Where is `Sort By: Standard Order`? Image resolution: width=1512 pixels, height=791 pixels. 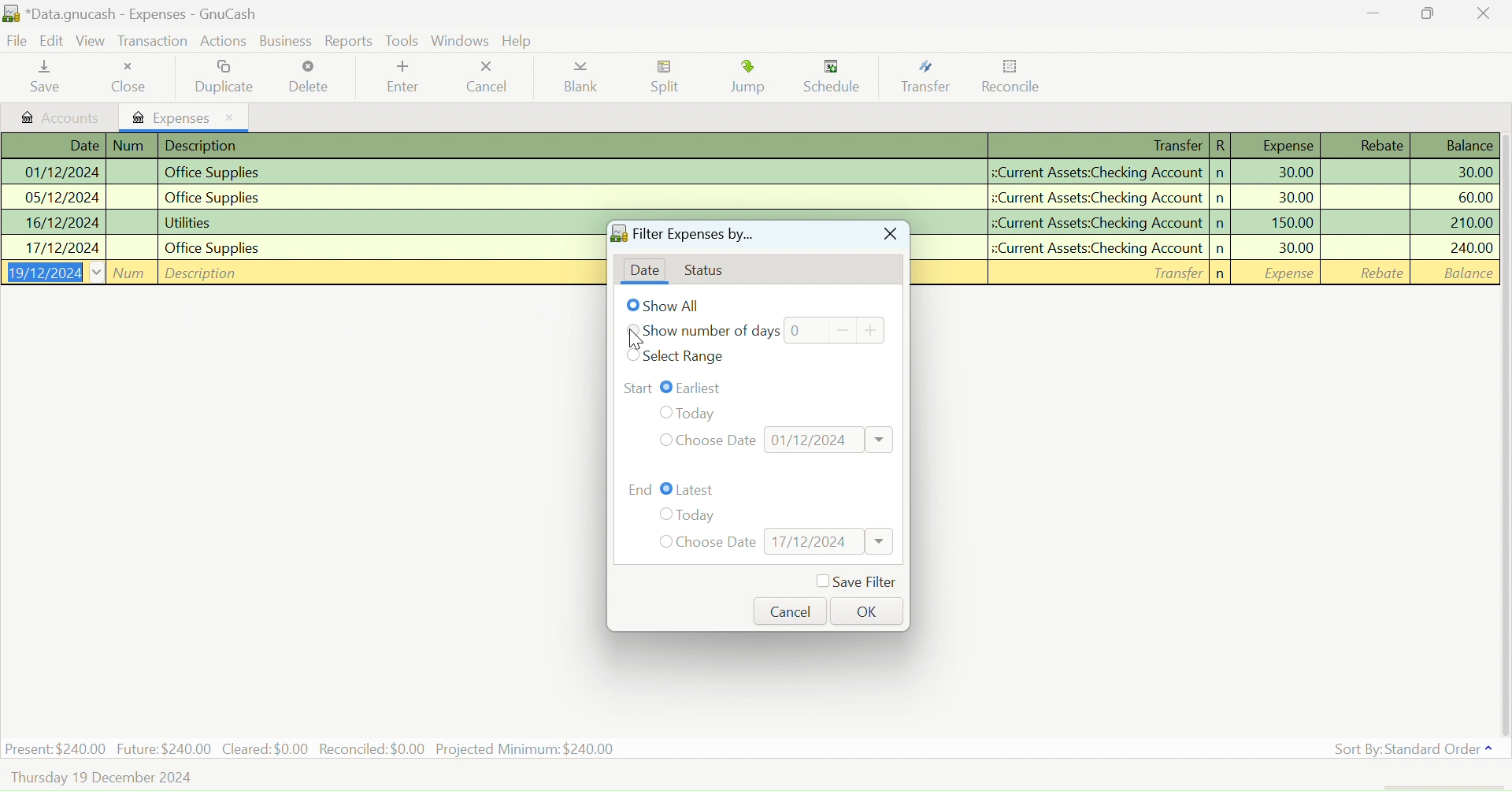 Sort By: Standard Order is located at coordinates (1410, 749).